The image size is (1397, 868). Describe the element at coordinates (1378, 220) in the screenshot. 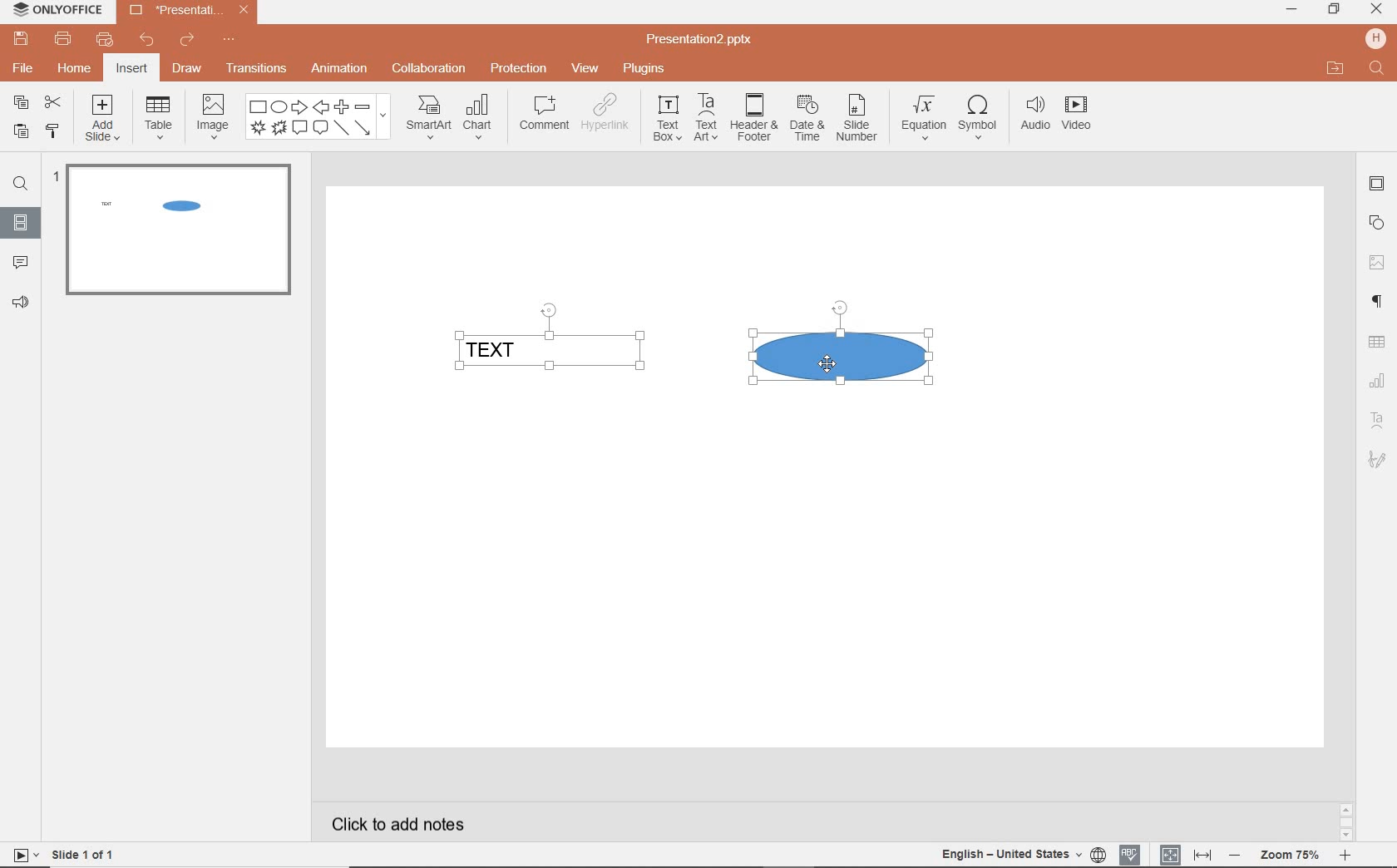

I see `SHAPE SETTINGS` at that location.